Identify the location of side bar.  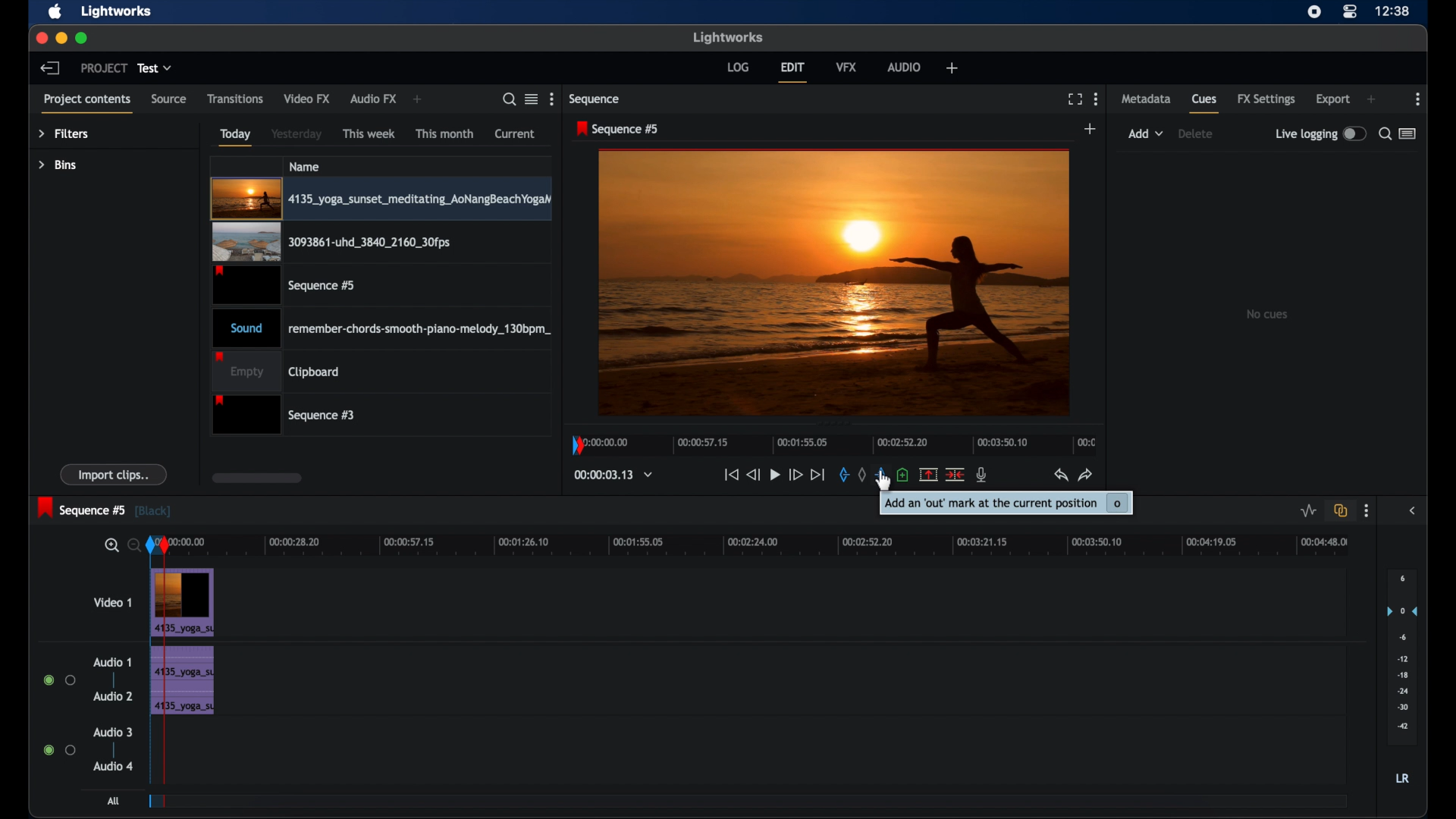
(1414, 510).